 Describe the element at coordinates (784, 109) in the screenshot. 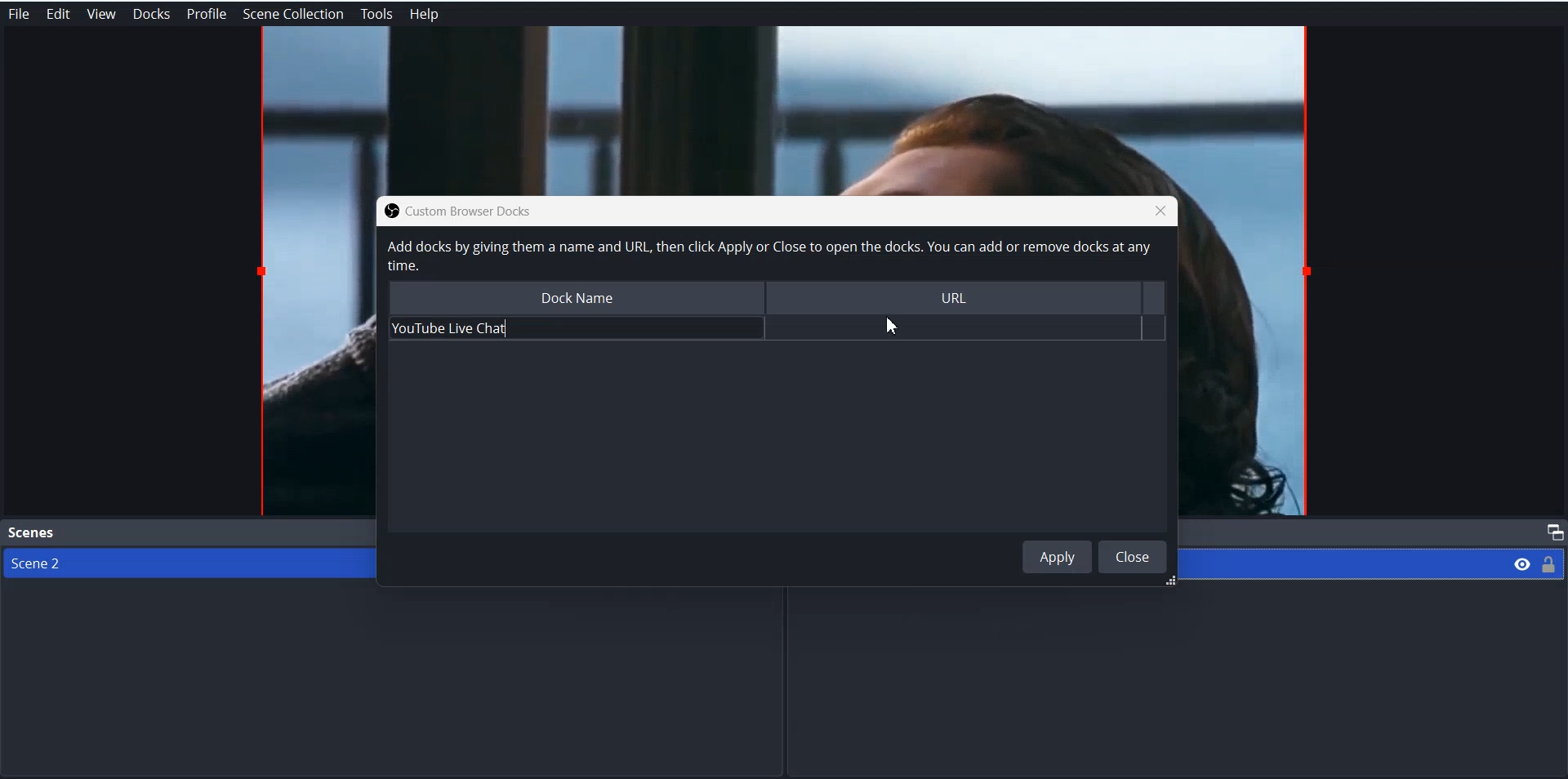

I see `File Preview window` at that location.